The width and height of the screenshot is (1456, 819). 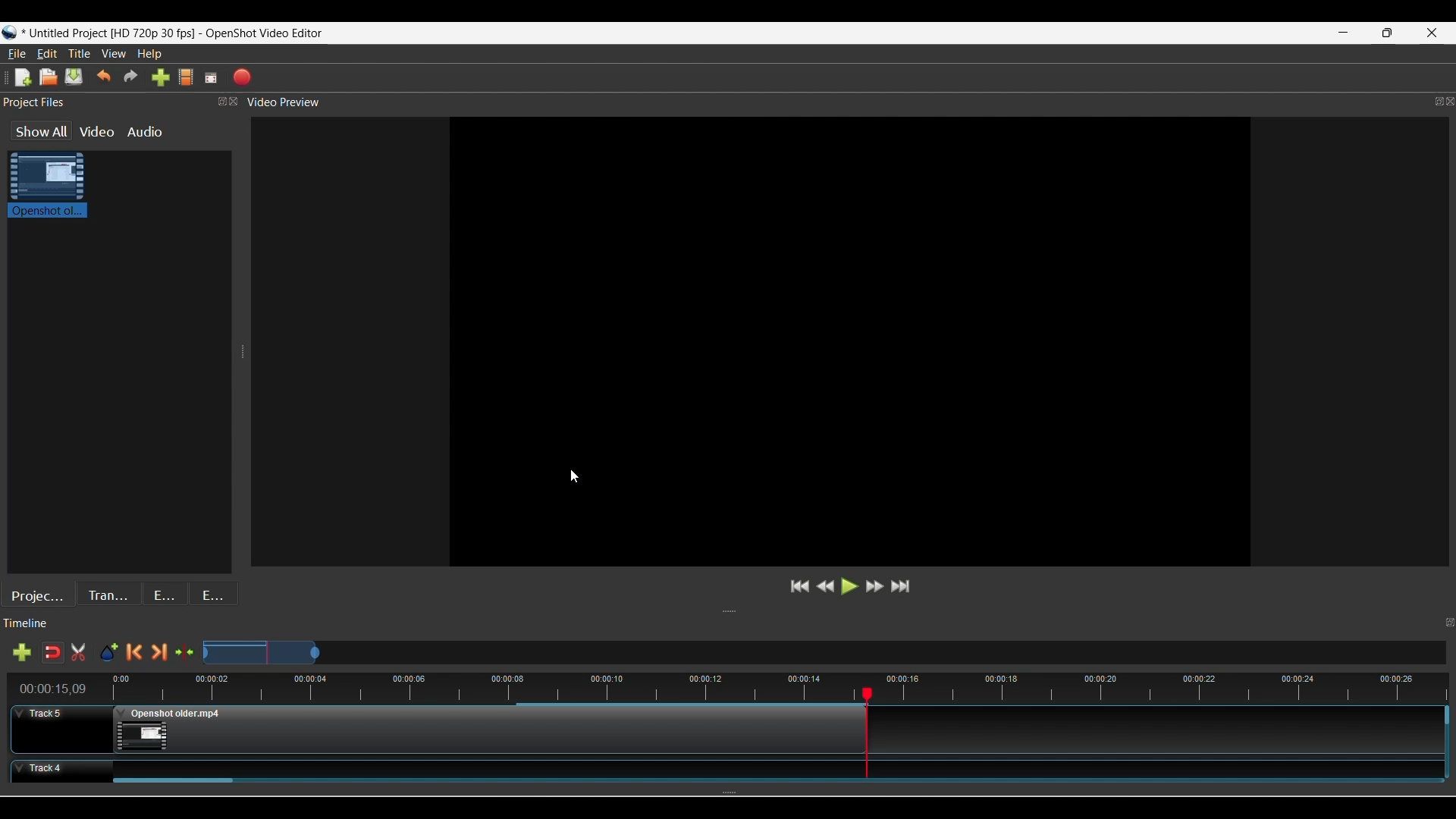 What do you see at coordinates (55, 771) in the screenshot?
I see `Track Header for track 4` at bounding box center [55, 771].